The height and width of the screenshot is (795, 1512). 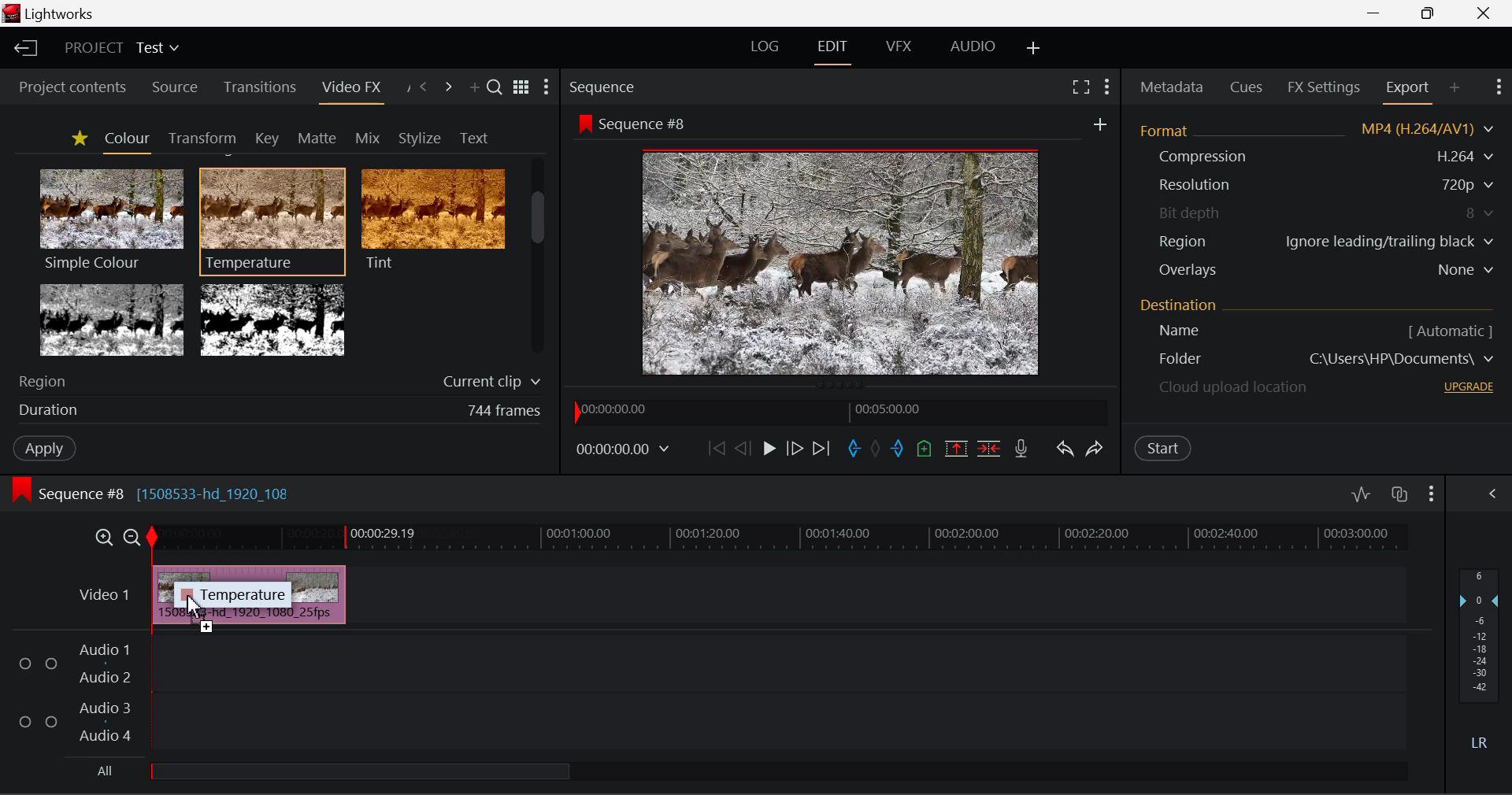 What do you see at coordinates (106, 770) in the screenshot?
I see `All` at bounding box center [106, 770].